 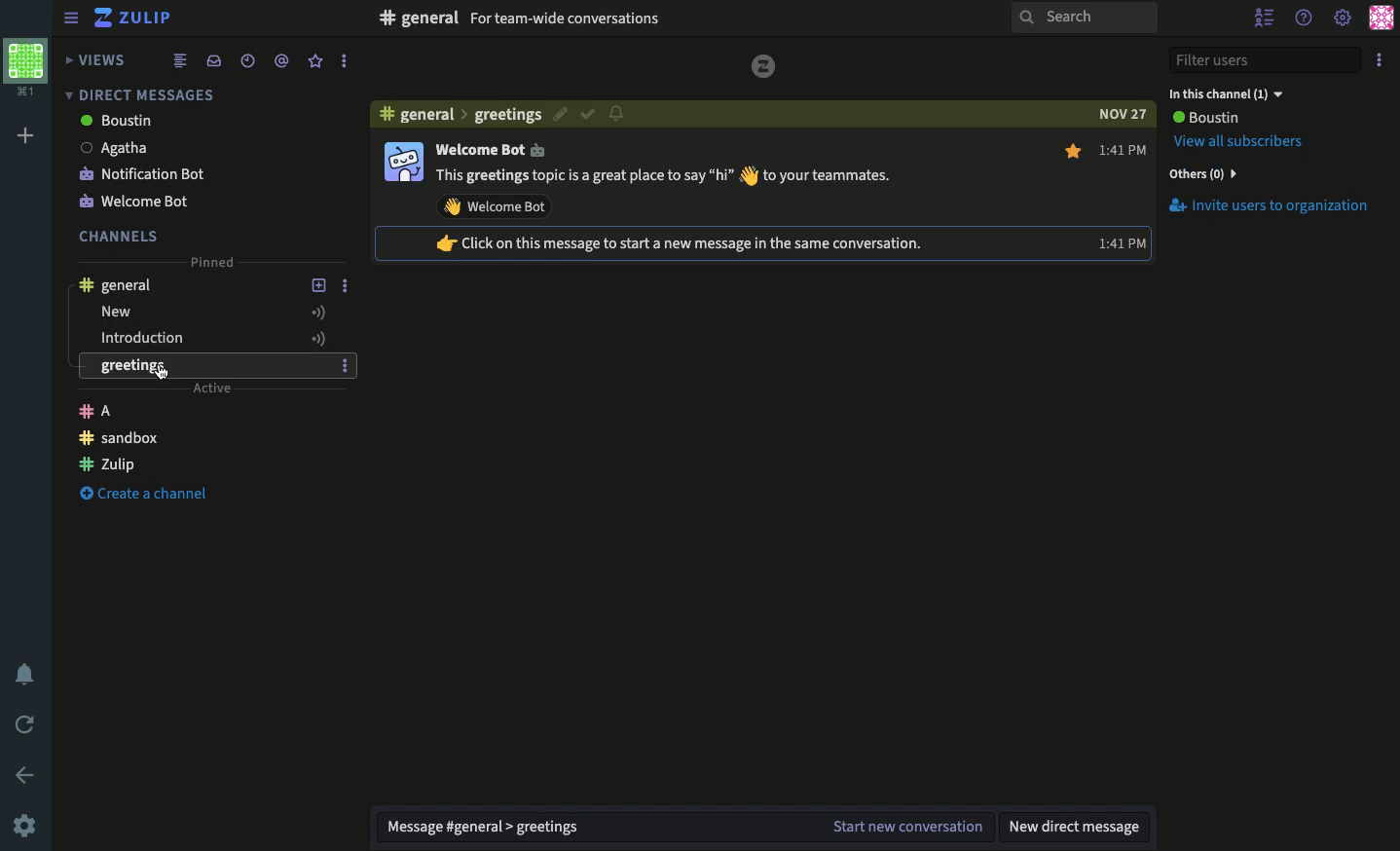 What do you see at coordinates (281, 59) in the screenshot?
I see `Tag` at bounding box center [281, 59].